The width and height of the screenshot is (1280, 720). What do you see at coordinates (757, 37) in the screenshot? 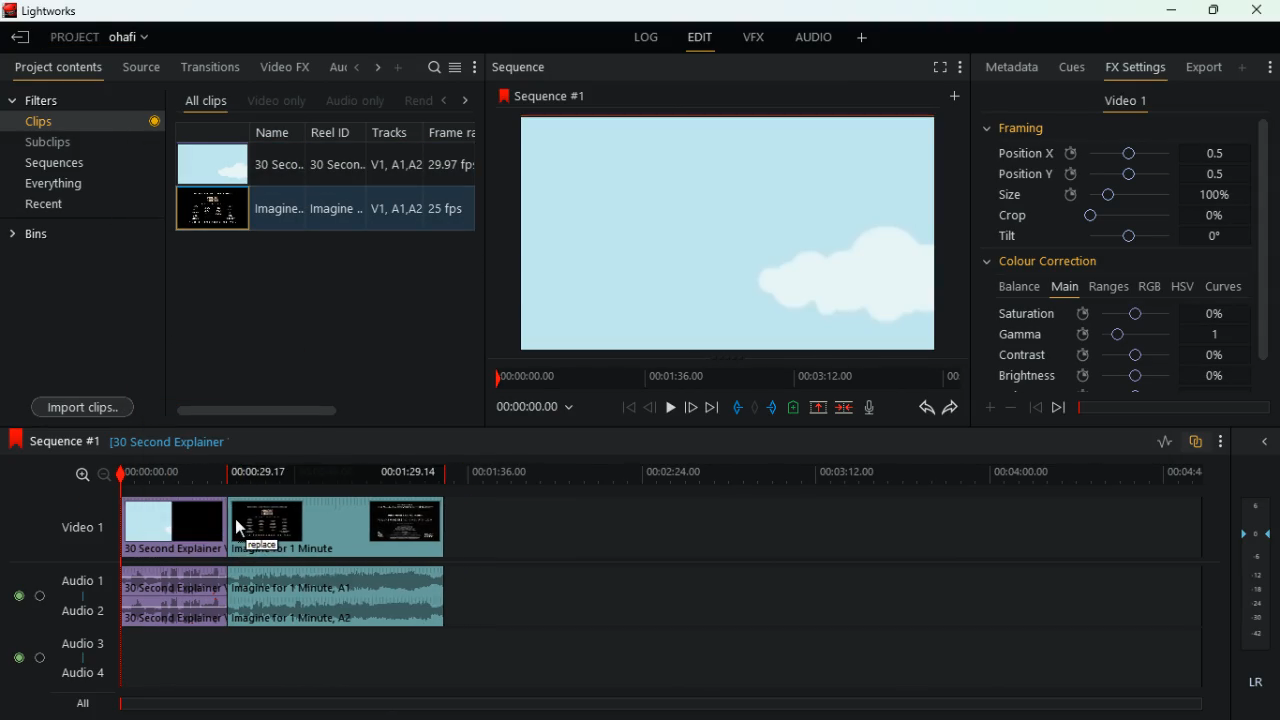
I see `vfx` at bounding box center [757, 37].